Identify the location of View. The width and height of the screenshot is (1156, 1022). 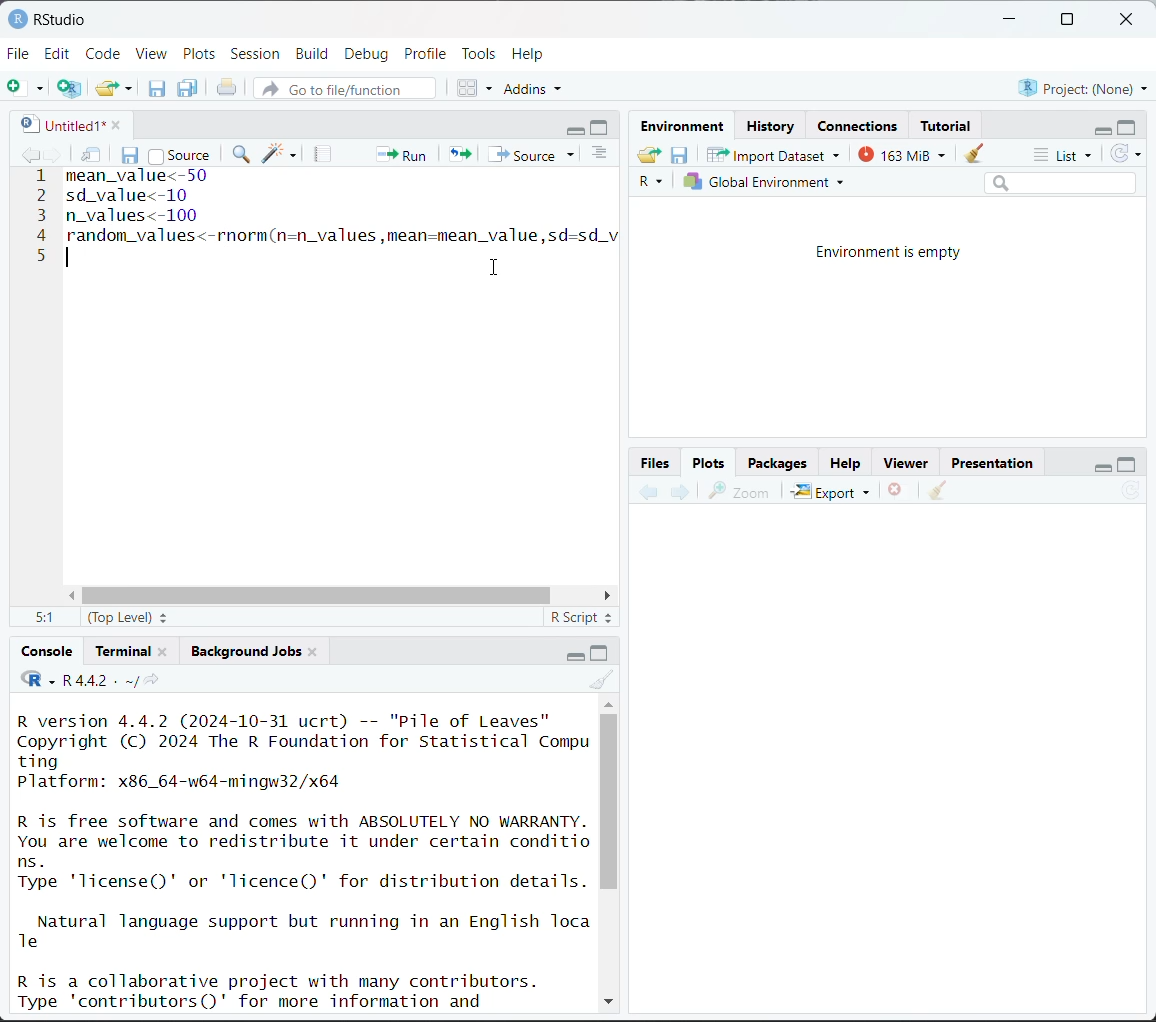
(152, 55).